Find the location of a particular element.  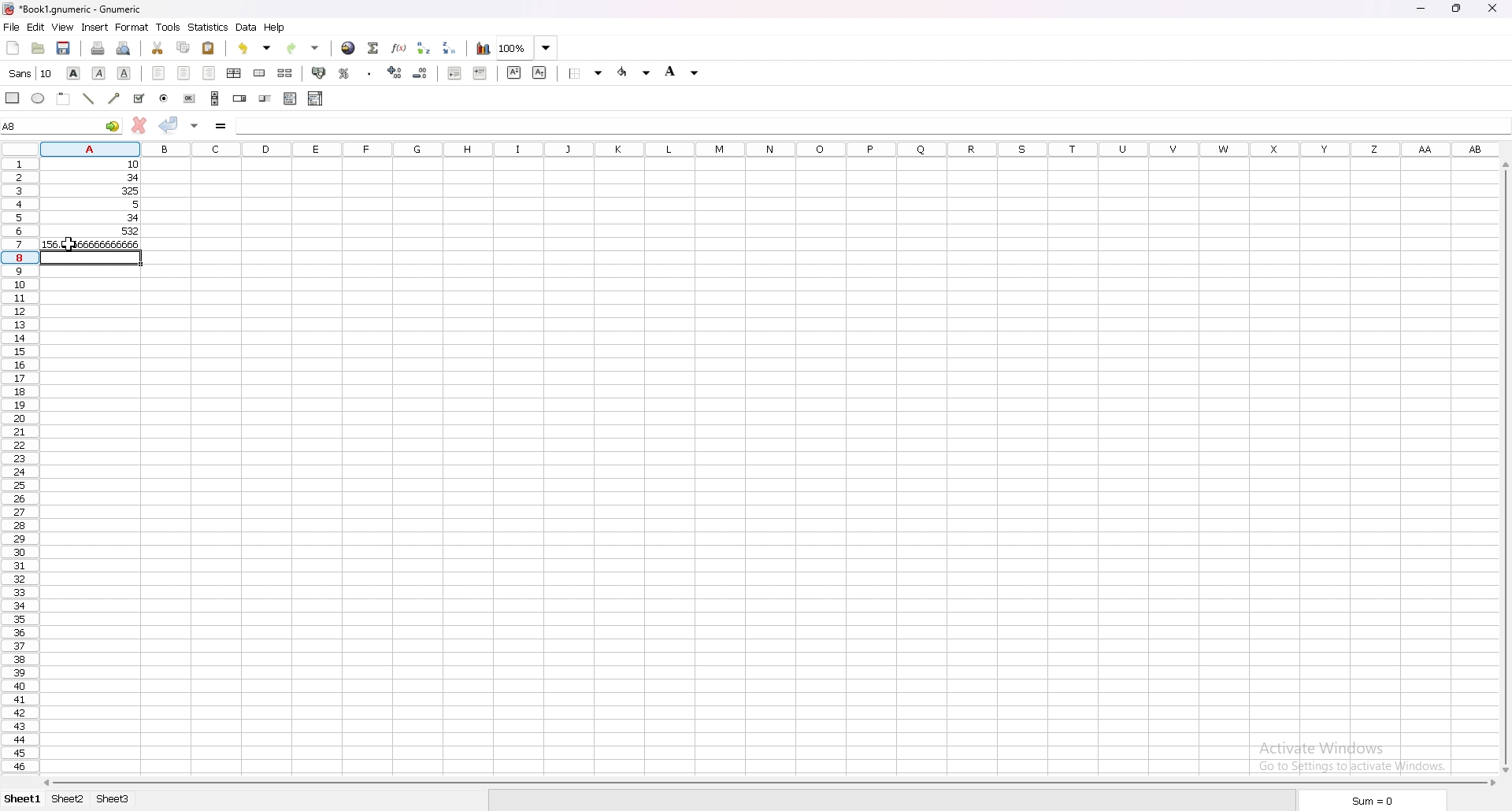

superscript is located at coordinates (513, 73).